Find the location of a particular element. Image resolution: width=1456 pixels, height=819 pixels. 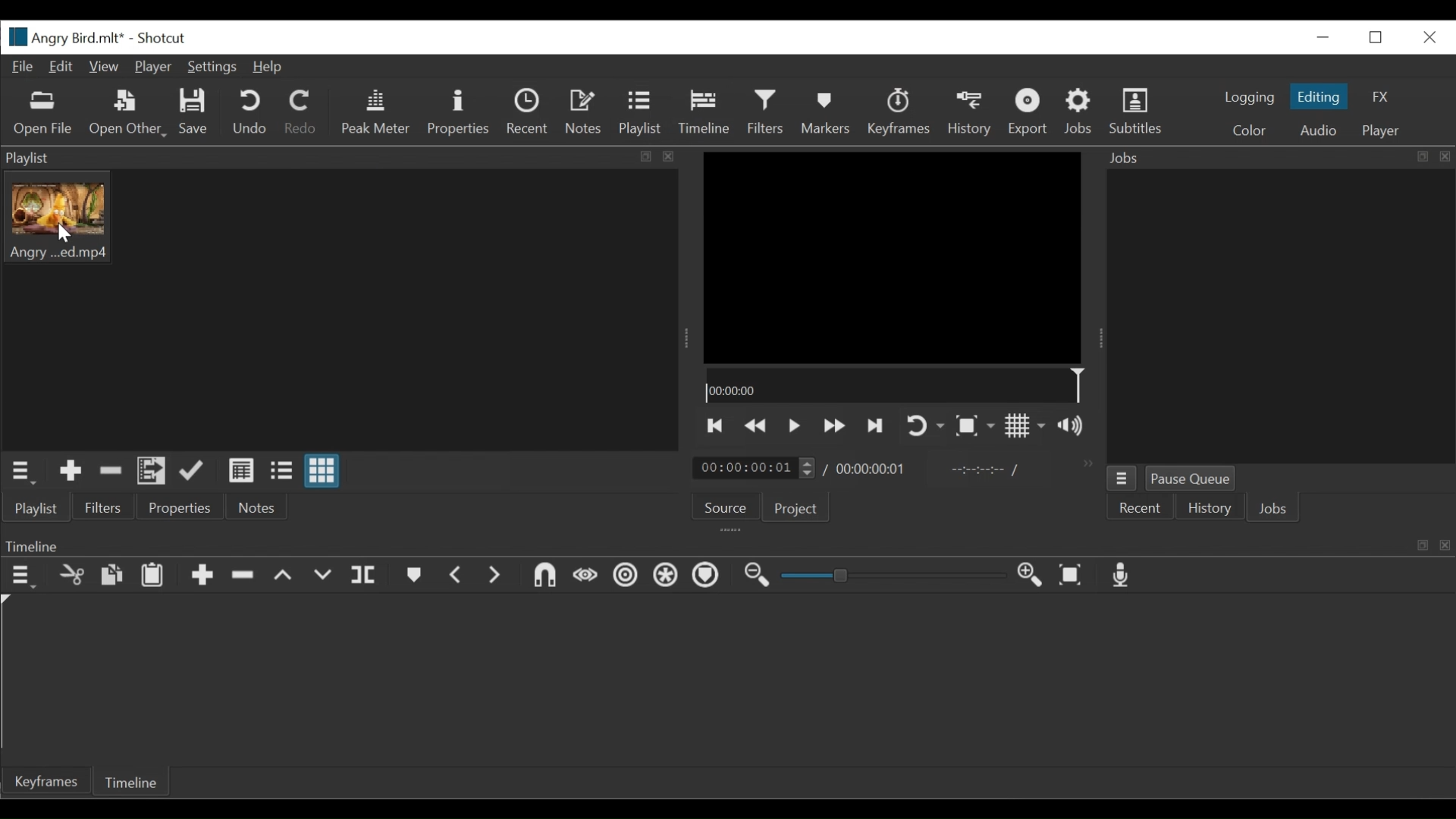

Settings is located at coordinates (213, 68).